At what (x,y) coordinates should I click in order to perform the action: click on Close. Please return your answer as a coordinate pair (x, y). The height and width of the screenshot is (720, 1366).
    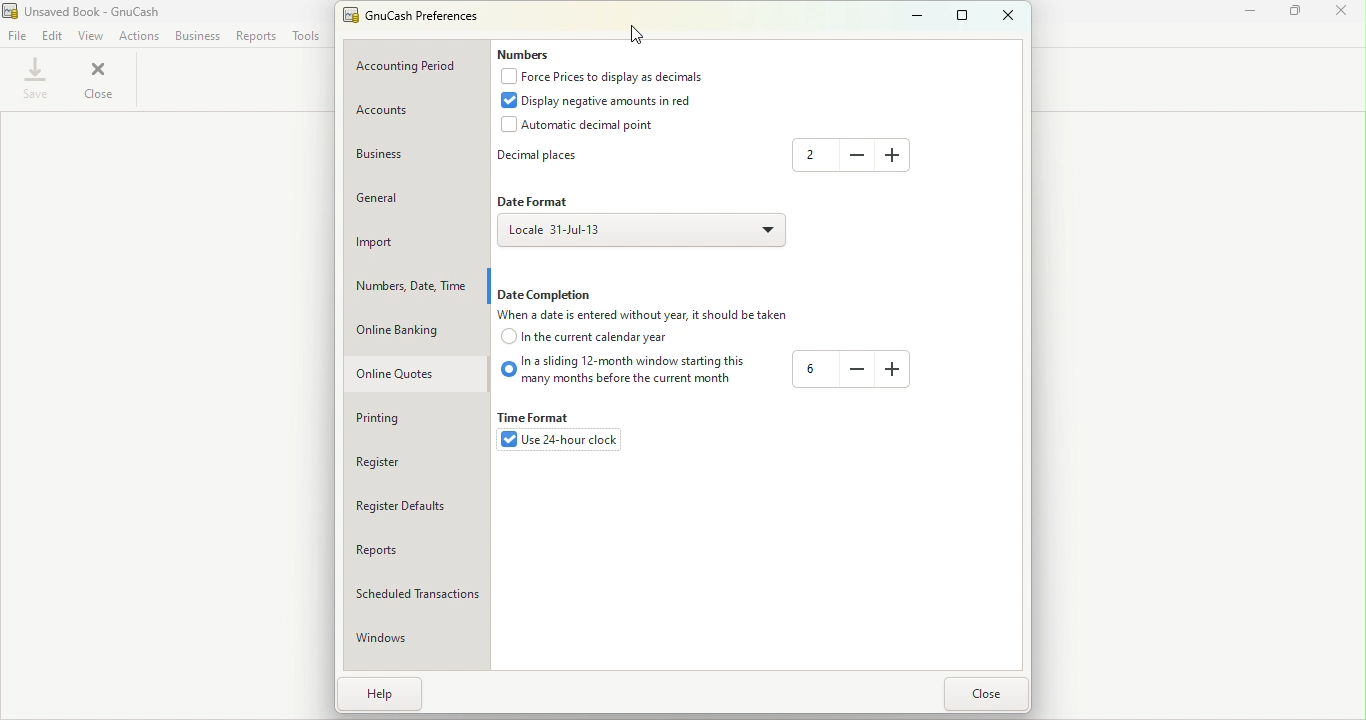
    Looking at the image, I should click on (988, 693).